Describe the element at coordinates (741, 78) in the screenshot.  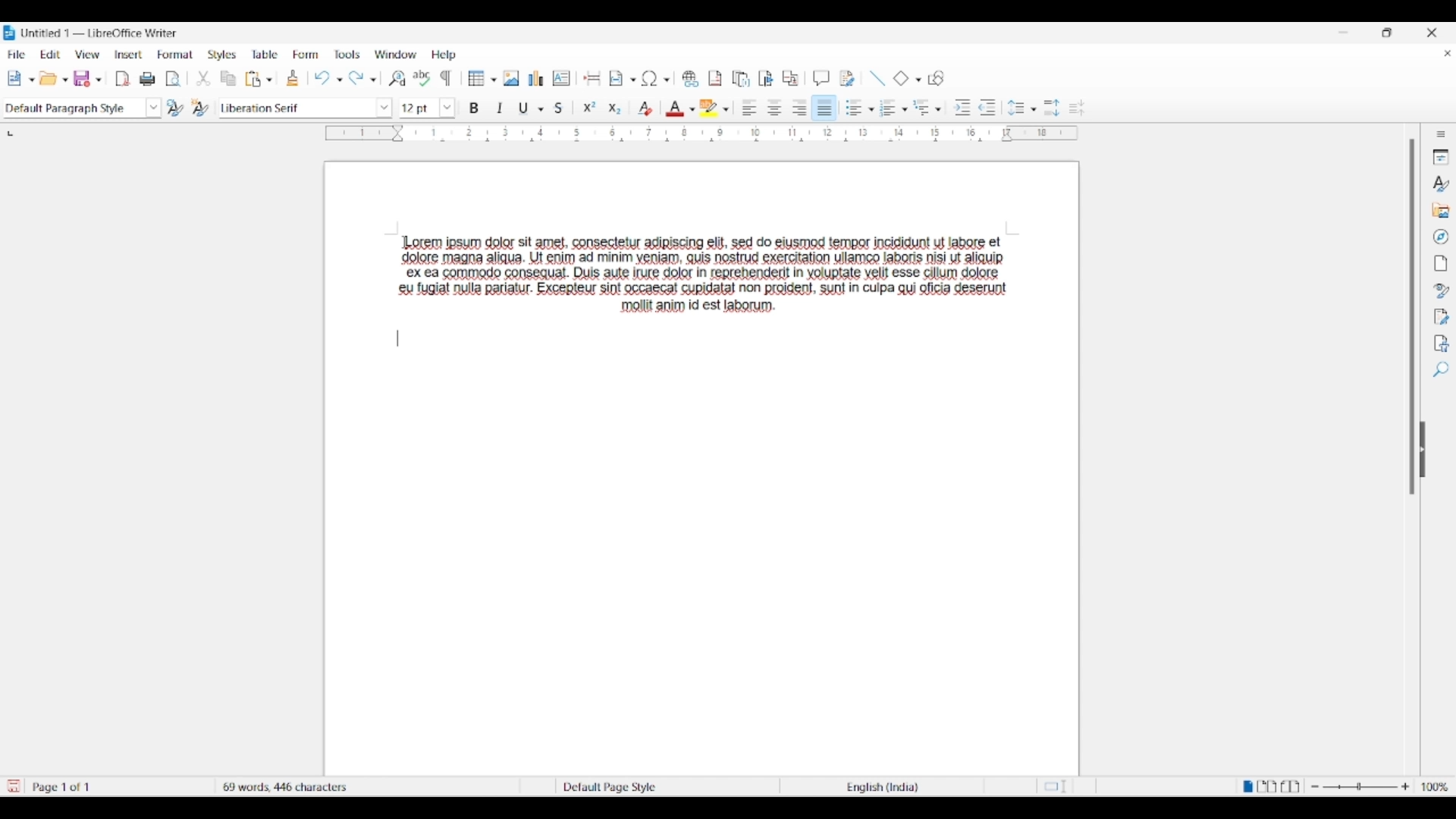
I see `Insert endnote` at that location.